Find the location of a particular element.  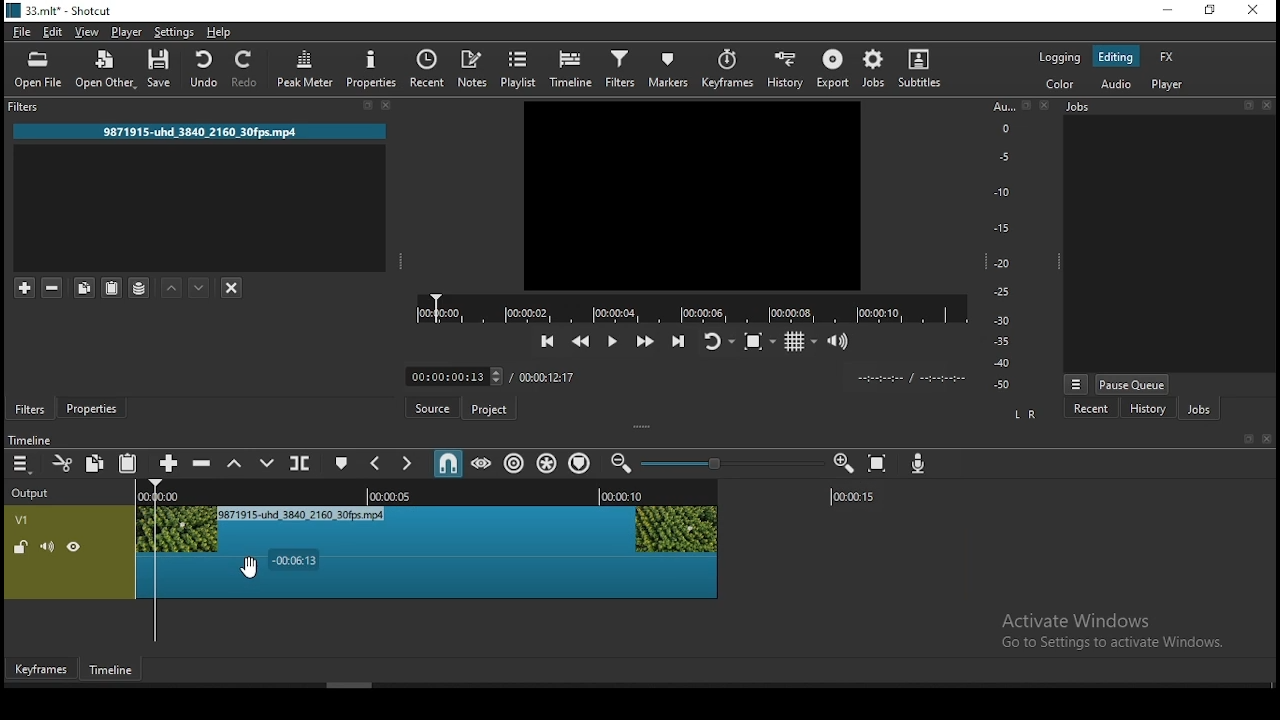

jobs is located at coordinates (1206, 410).